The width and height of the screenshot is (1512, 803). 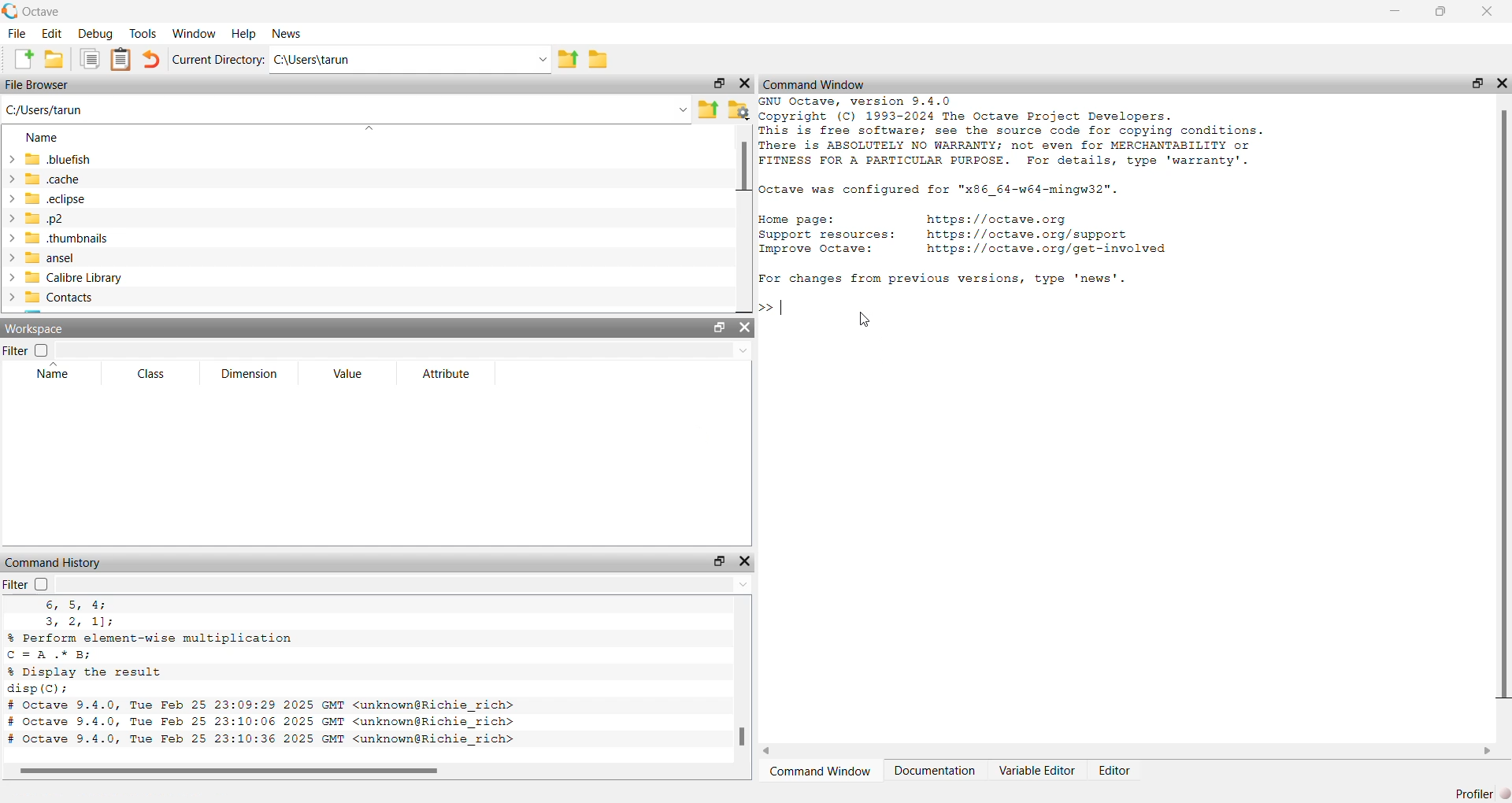 What do you see at coordinates (1478, 83) in the screenshot?
I see `Restore Down` at bounding box center [1478, 83].